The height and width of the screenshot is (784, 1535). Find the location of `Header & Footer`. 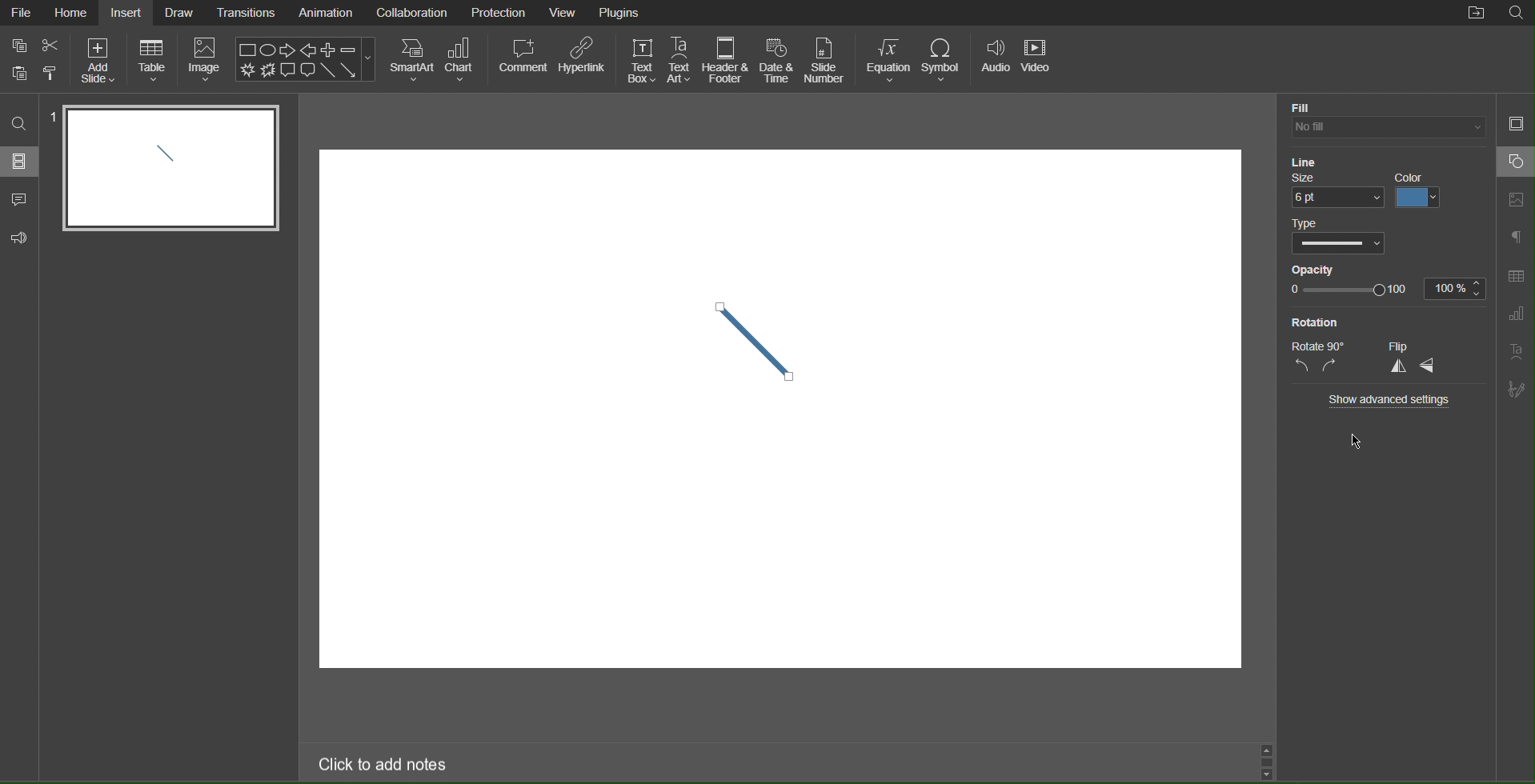

Header & Footer is located at coordinates (727, 61).